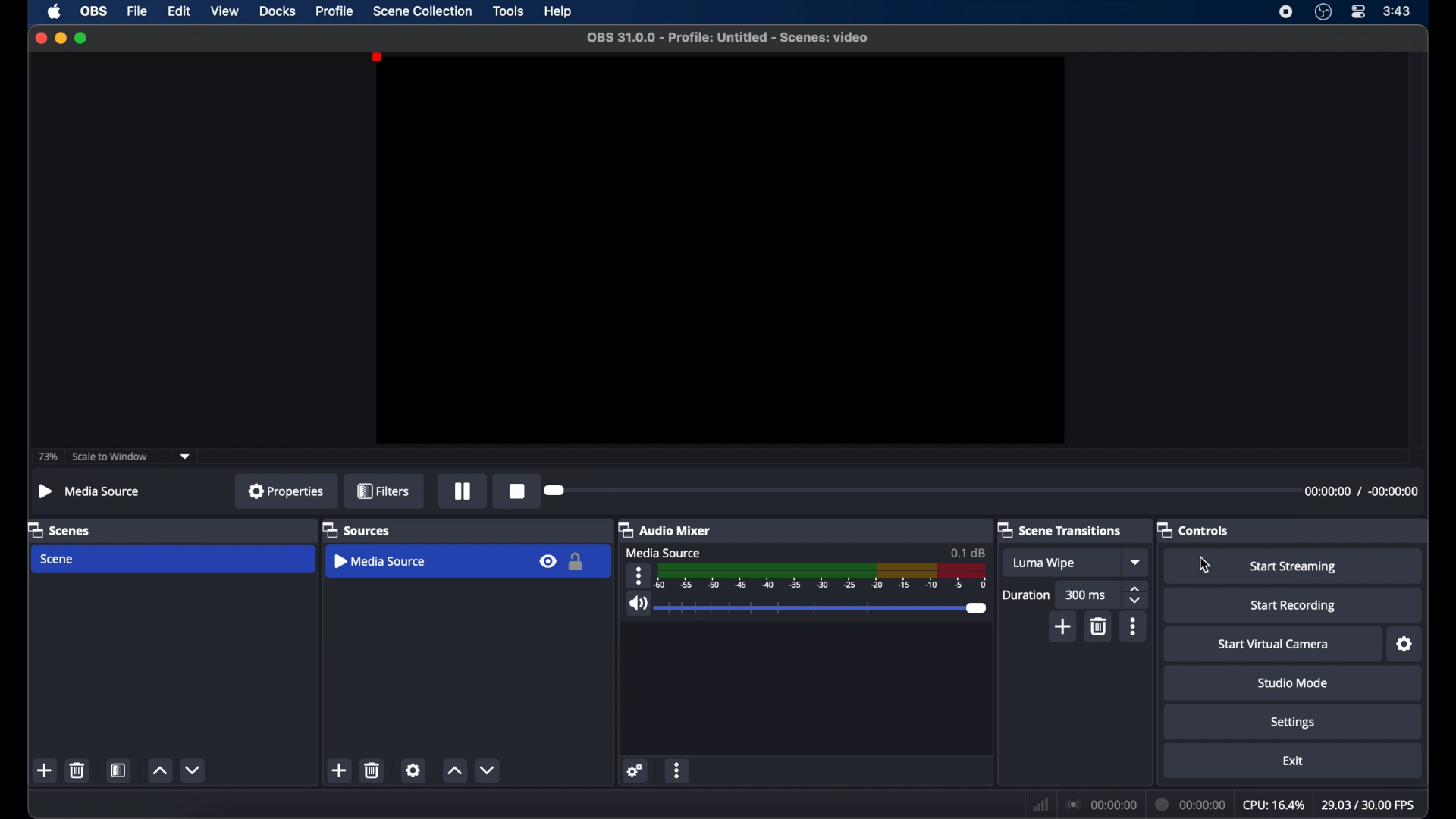  What do you see at coordinates (555, 491) in the screenshot?
I see `slider` at bounding box center [555, 491].